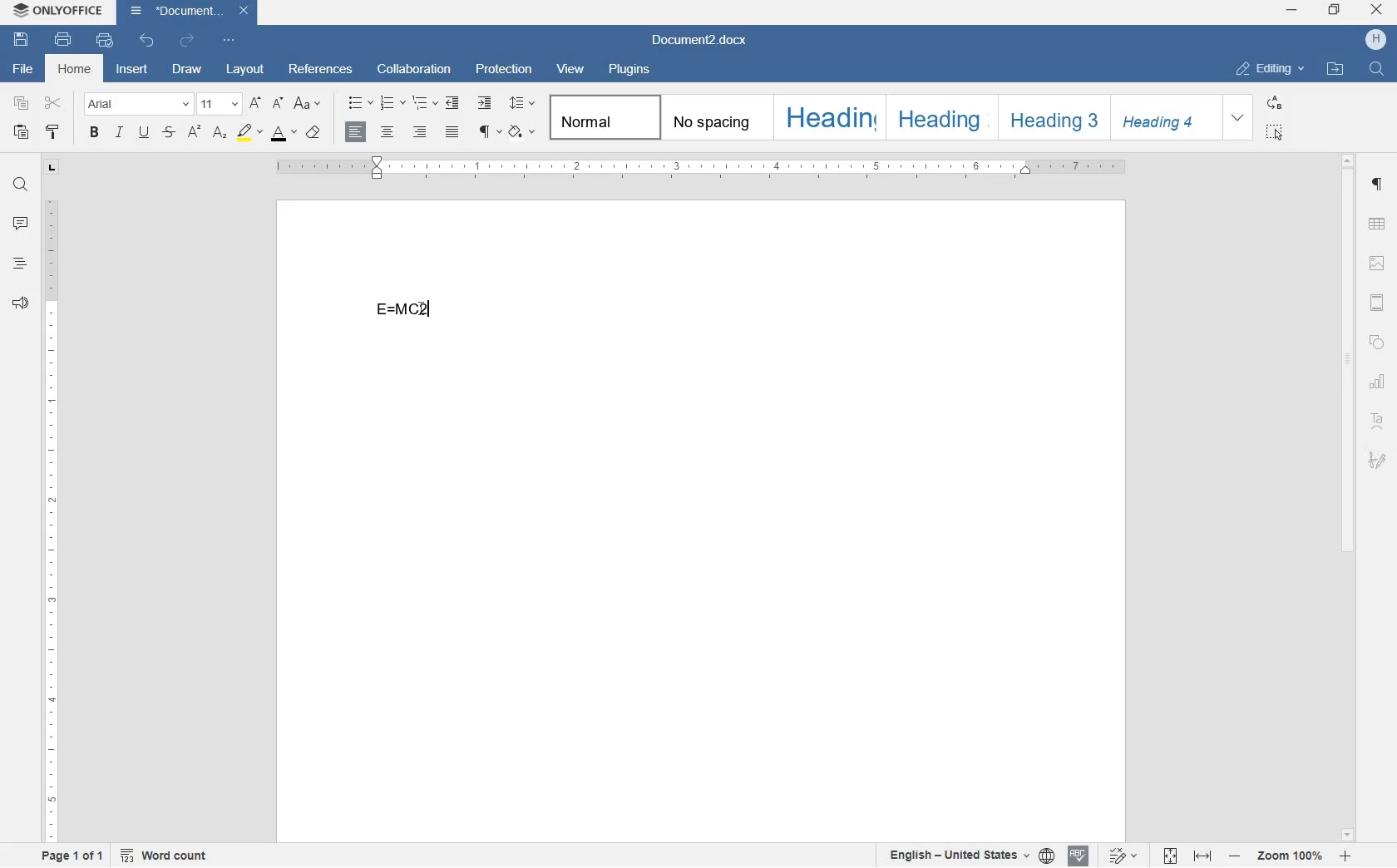 The width and height of the screenshot is (1397, 868). What do you see at coordinates (146, 131) in the screenshot?
I see `underline` at bounding box center [146, 131].